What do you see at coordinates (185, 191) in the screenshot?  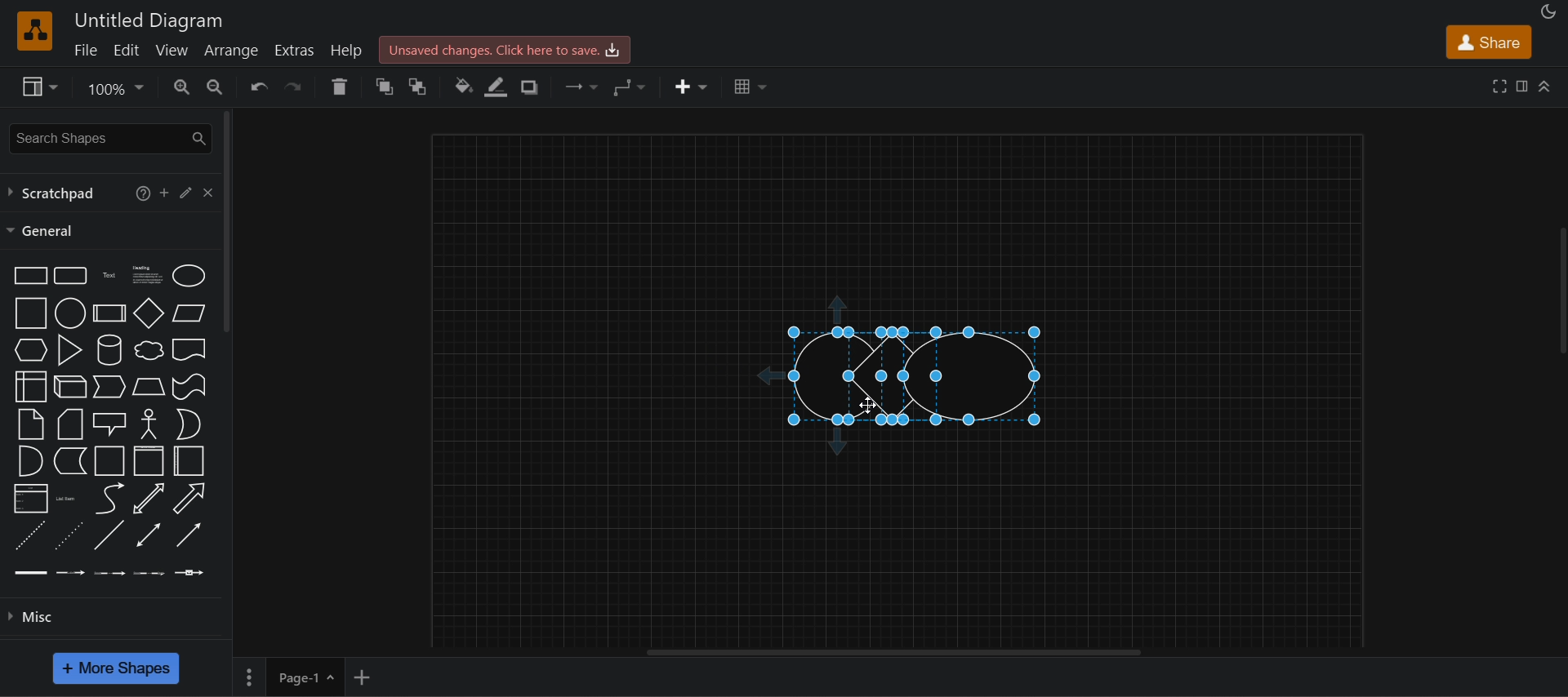 I see `edit` at bounding box center [185, 191].